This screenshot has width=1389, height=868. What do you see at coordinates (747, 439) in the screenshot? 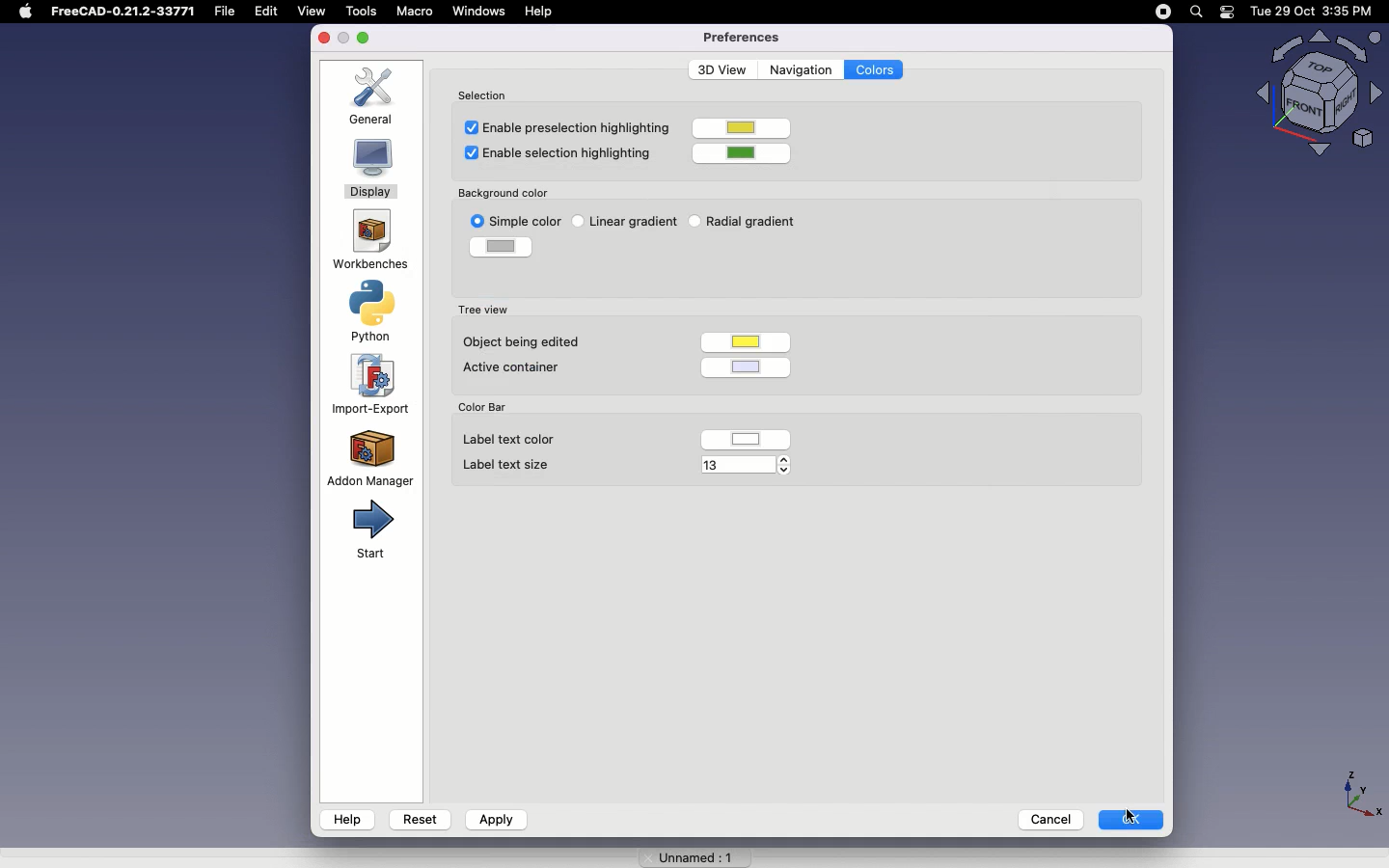
I see `color` at bounding box center [747, 439].